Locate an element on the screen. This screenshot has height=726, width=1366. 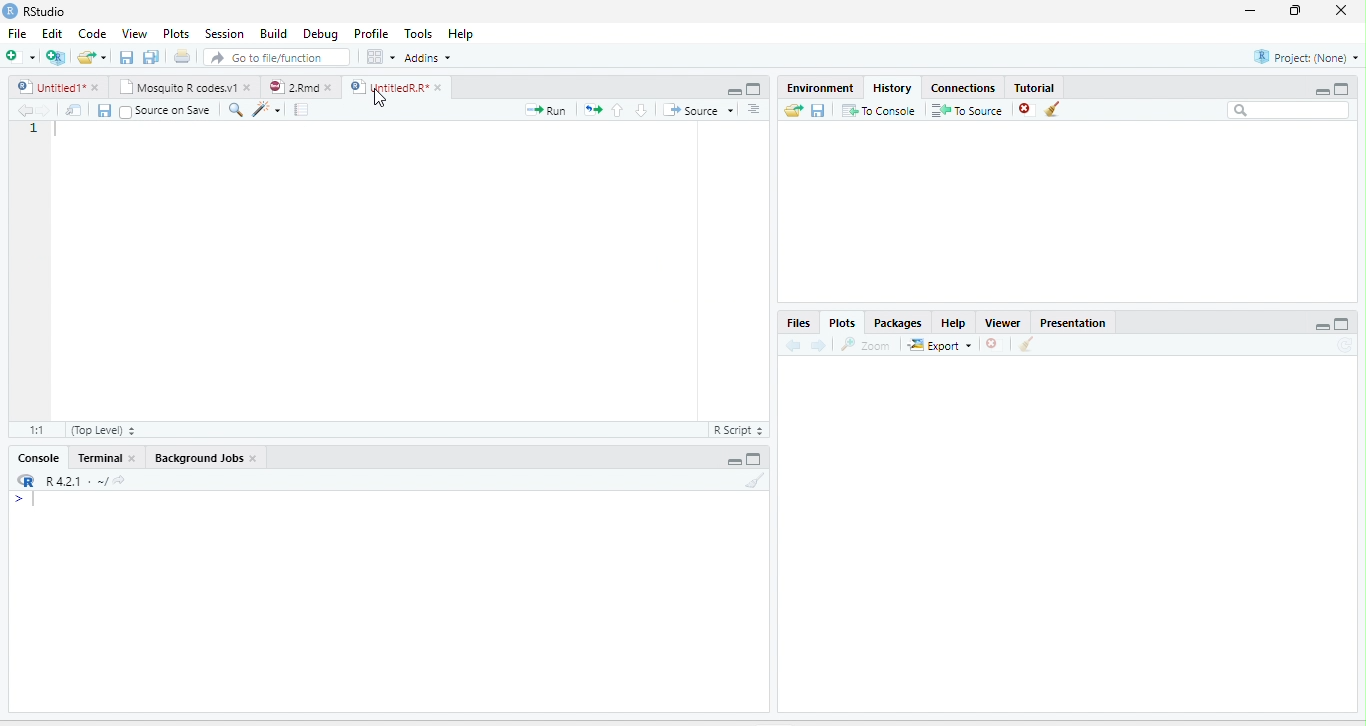
Project: (None) is located at coordinates (1304, 57).